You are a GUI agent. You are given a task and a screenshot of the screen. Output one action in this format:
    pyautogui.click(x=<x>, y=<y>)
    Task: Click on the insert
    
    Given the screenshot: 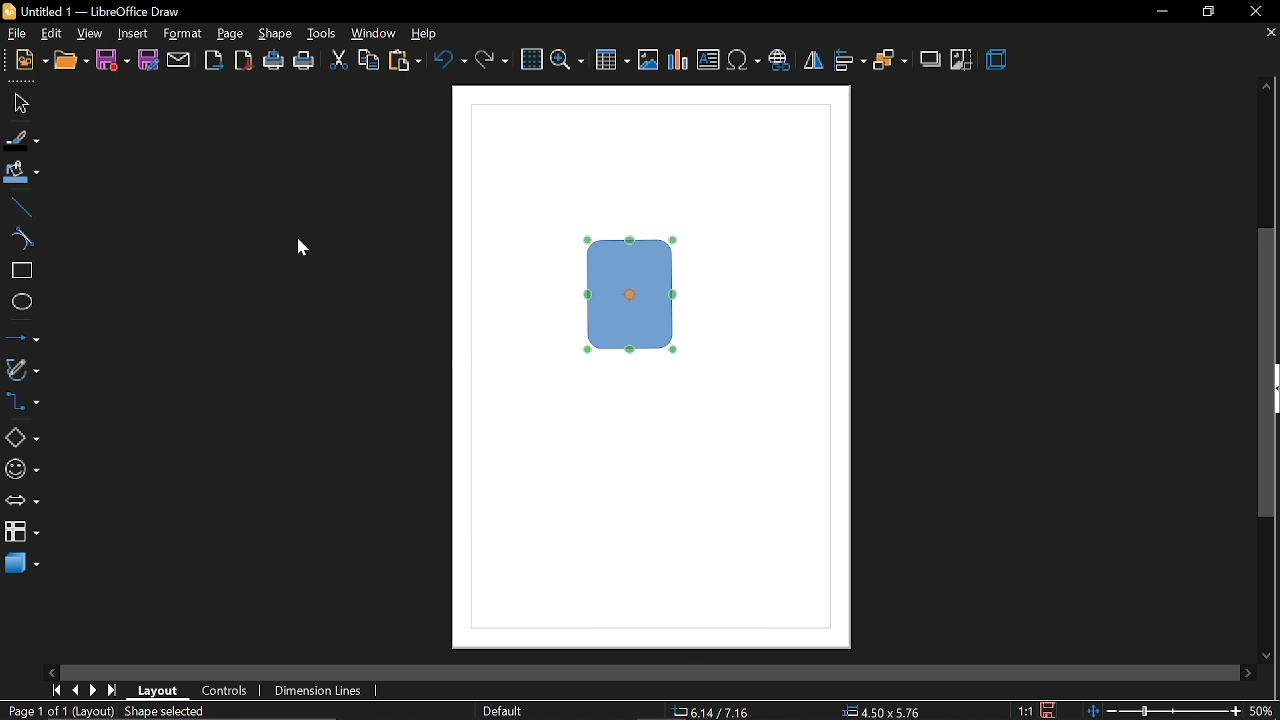 What is the action you would take?
    pyautogui.click(x=133, y=35)
    